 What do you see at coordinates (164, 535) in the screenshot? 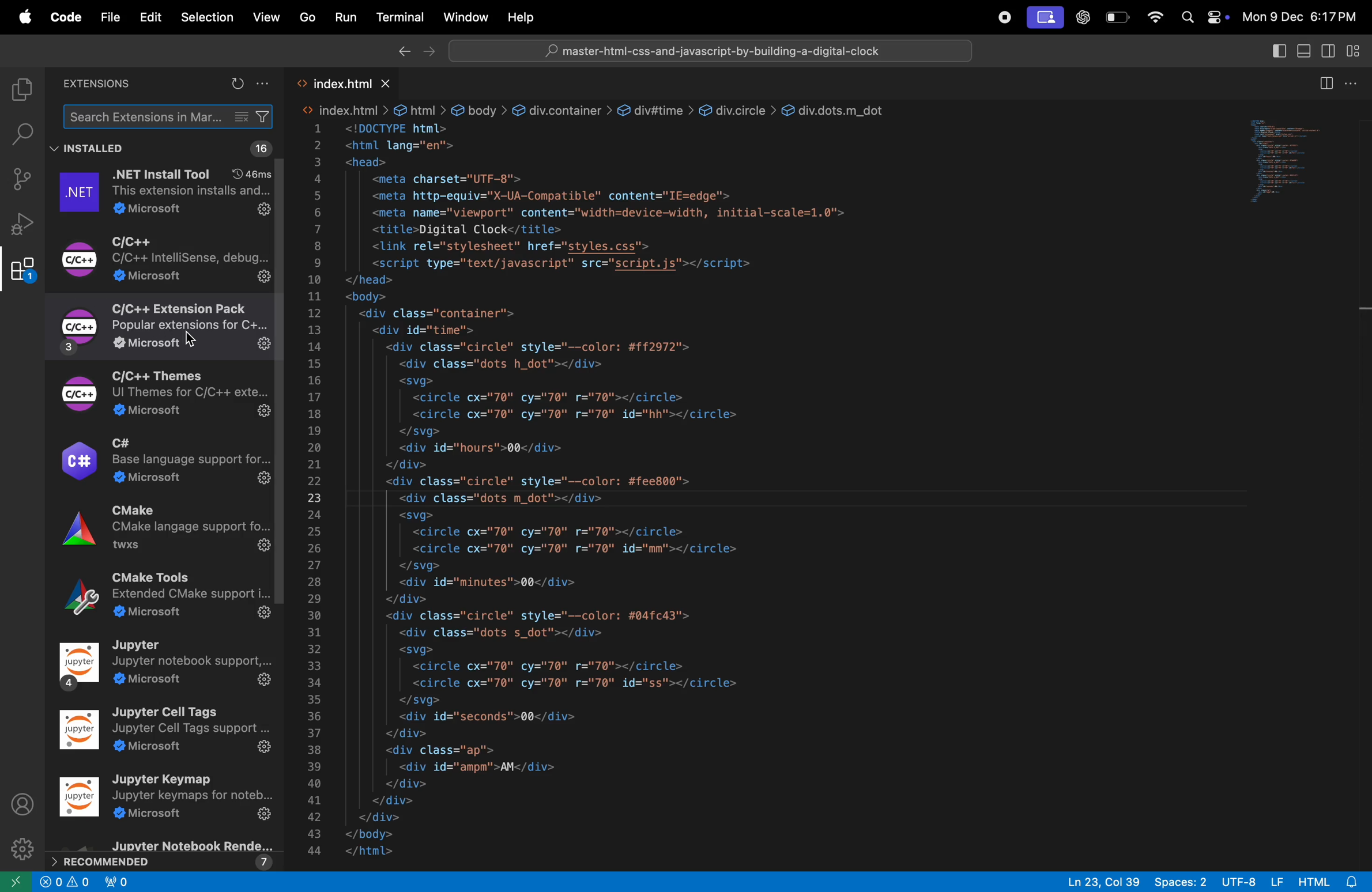
I see `C make extensions` at bounding box center [164, 535].